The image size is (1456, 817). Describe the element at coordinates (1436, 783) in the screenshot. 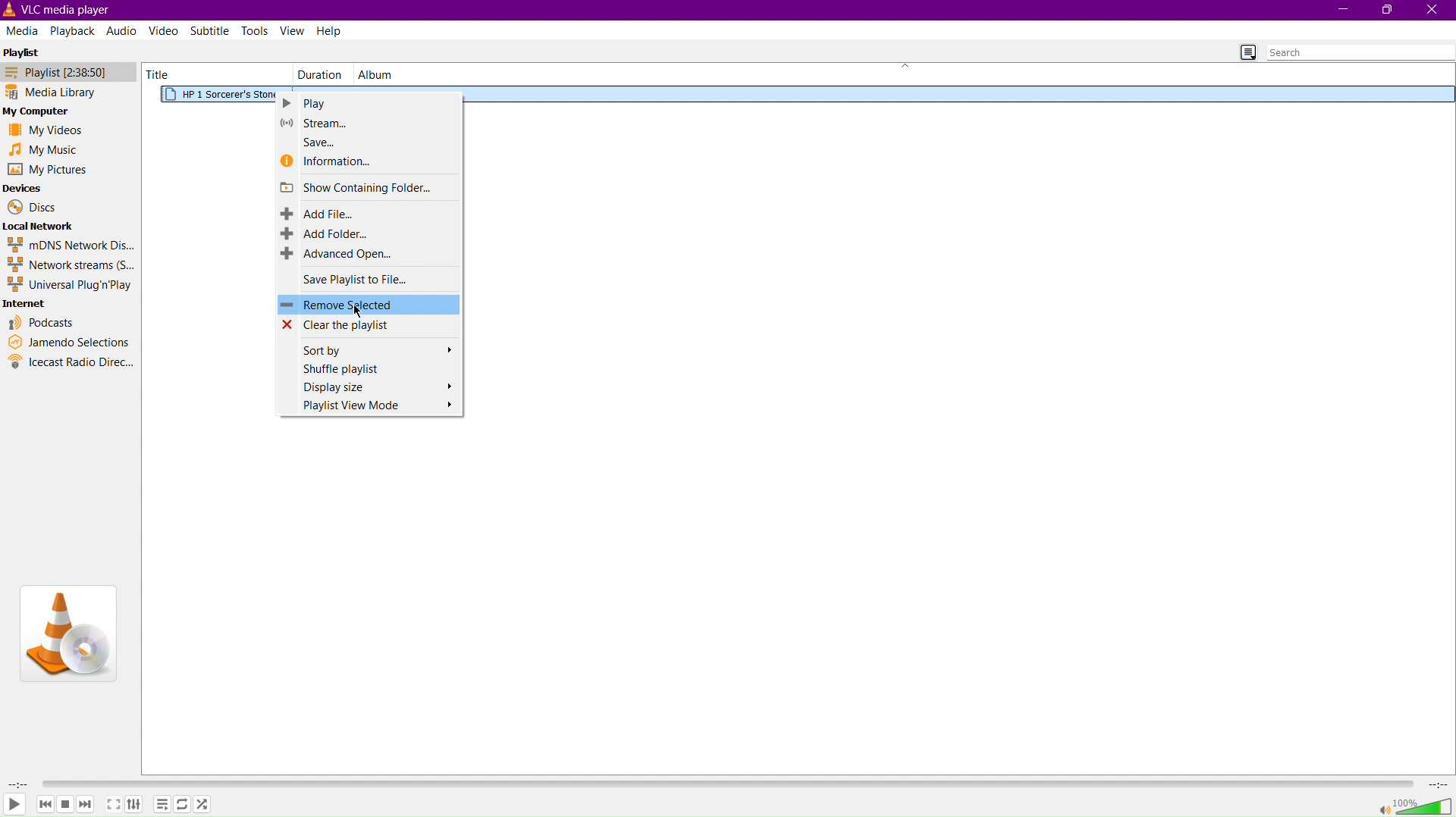

I see `--:--` at that location.